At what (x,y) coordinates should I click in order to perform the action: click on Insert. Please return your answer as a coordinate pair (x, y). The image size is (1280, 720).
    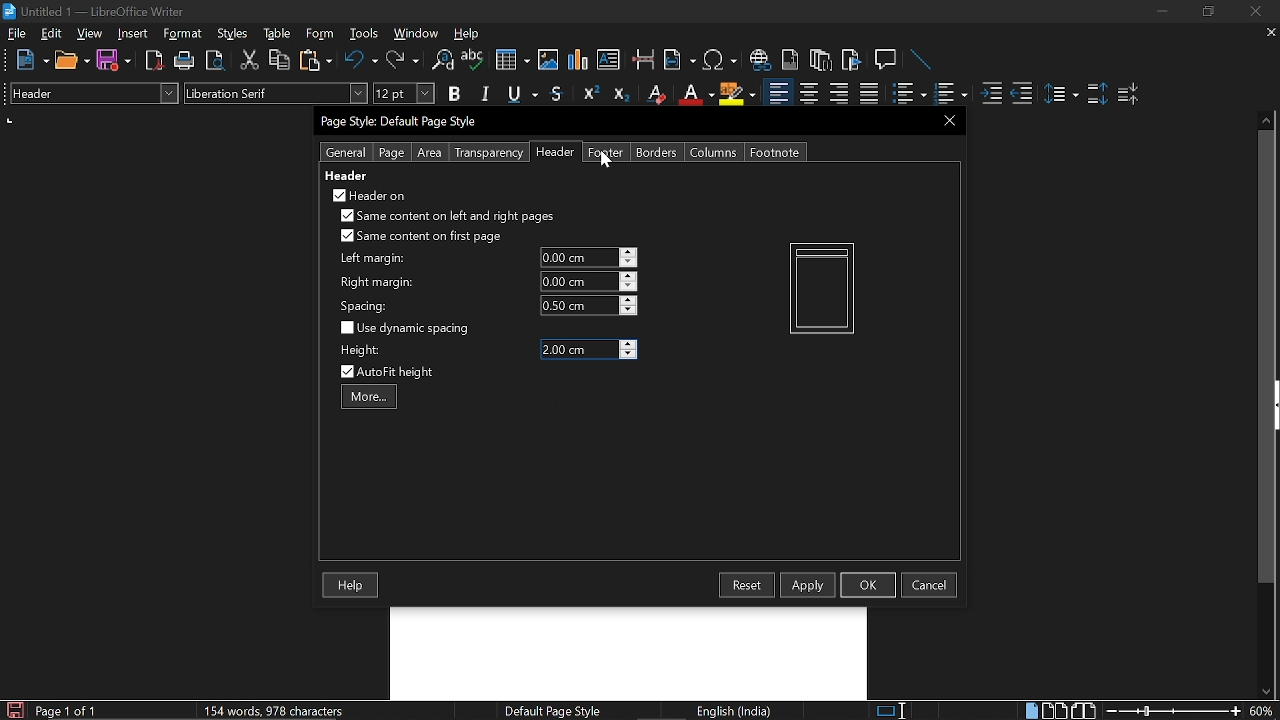
    Looking at the image, I should click on (137, 33).